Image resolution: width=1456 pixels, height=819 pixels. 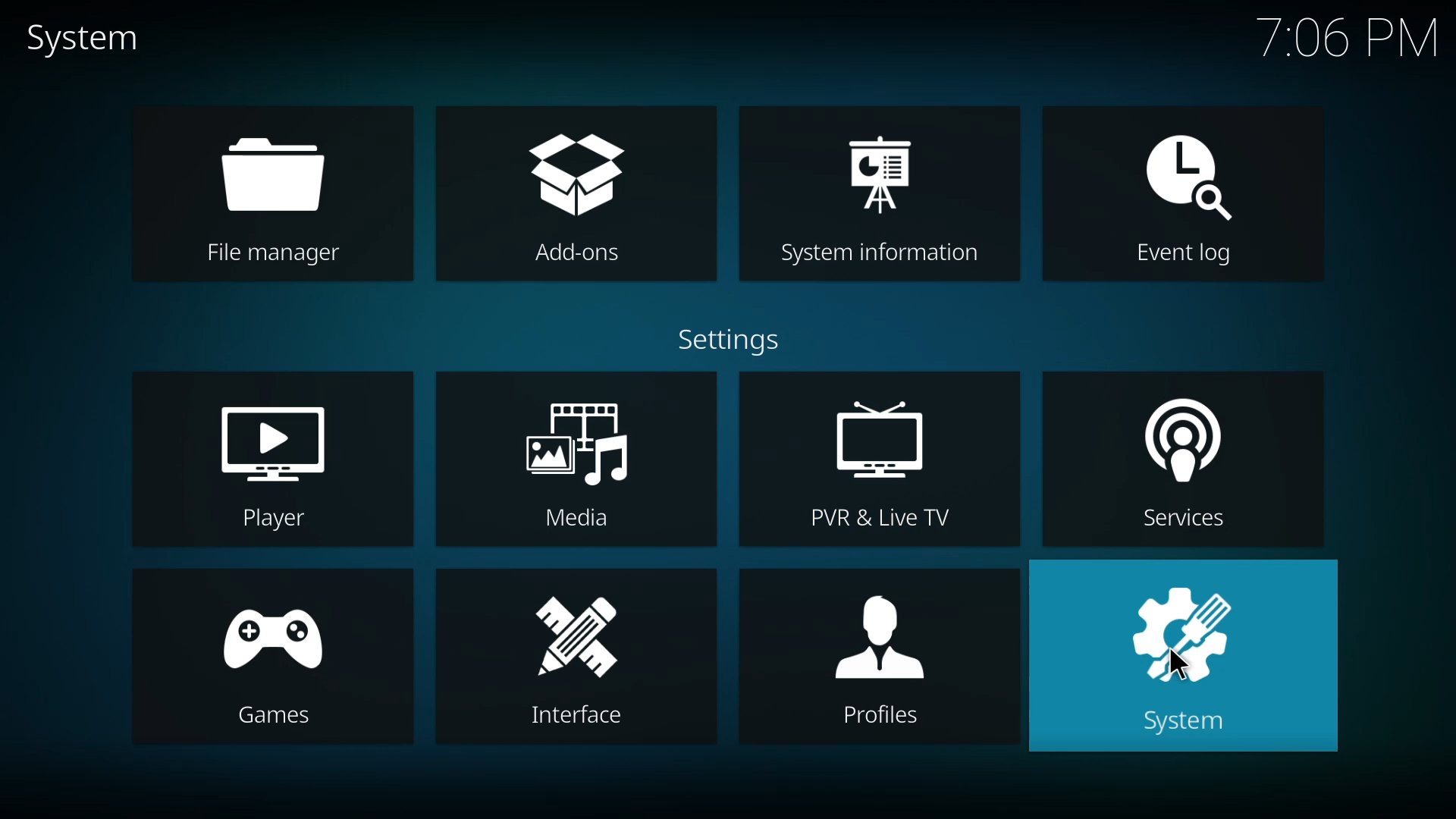 I want to click on settings, so click(x=729, y=340).